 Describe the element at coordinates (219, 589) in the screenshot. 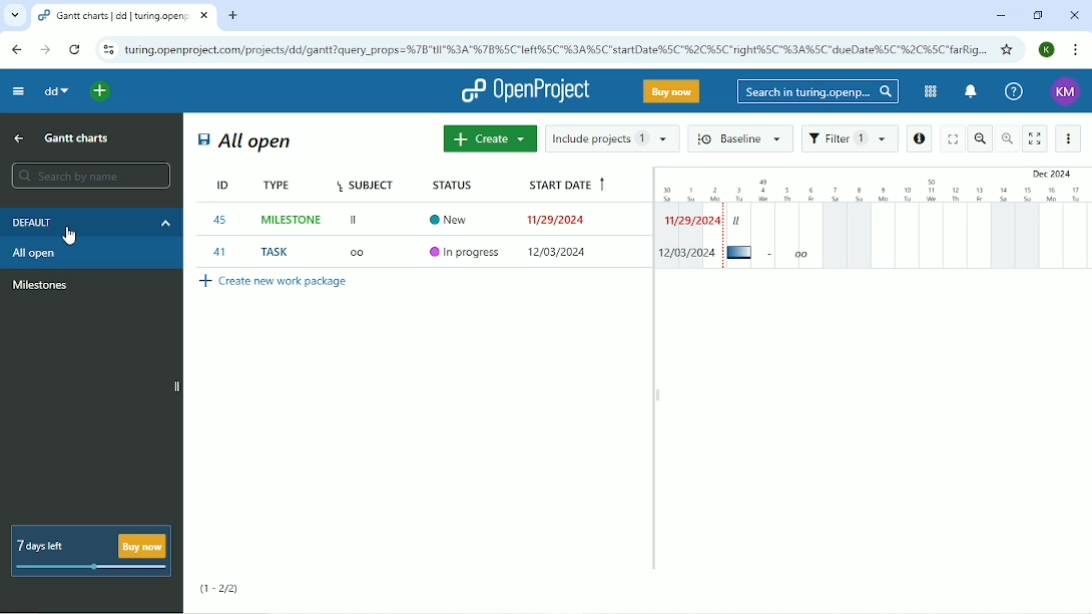

I see `(1-2/2)` at that location.